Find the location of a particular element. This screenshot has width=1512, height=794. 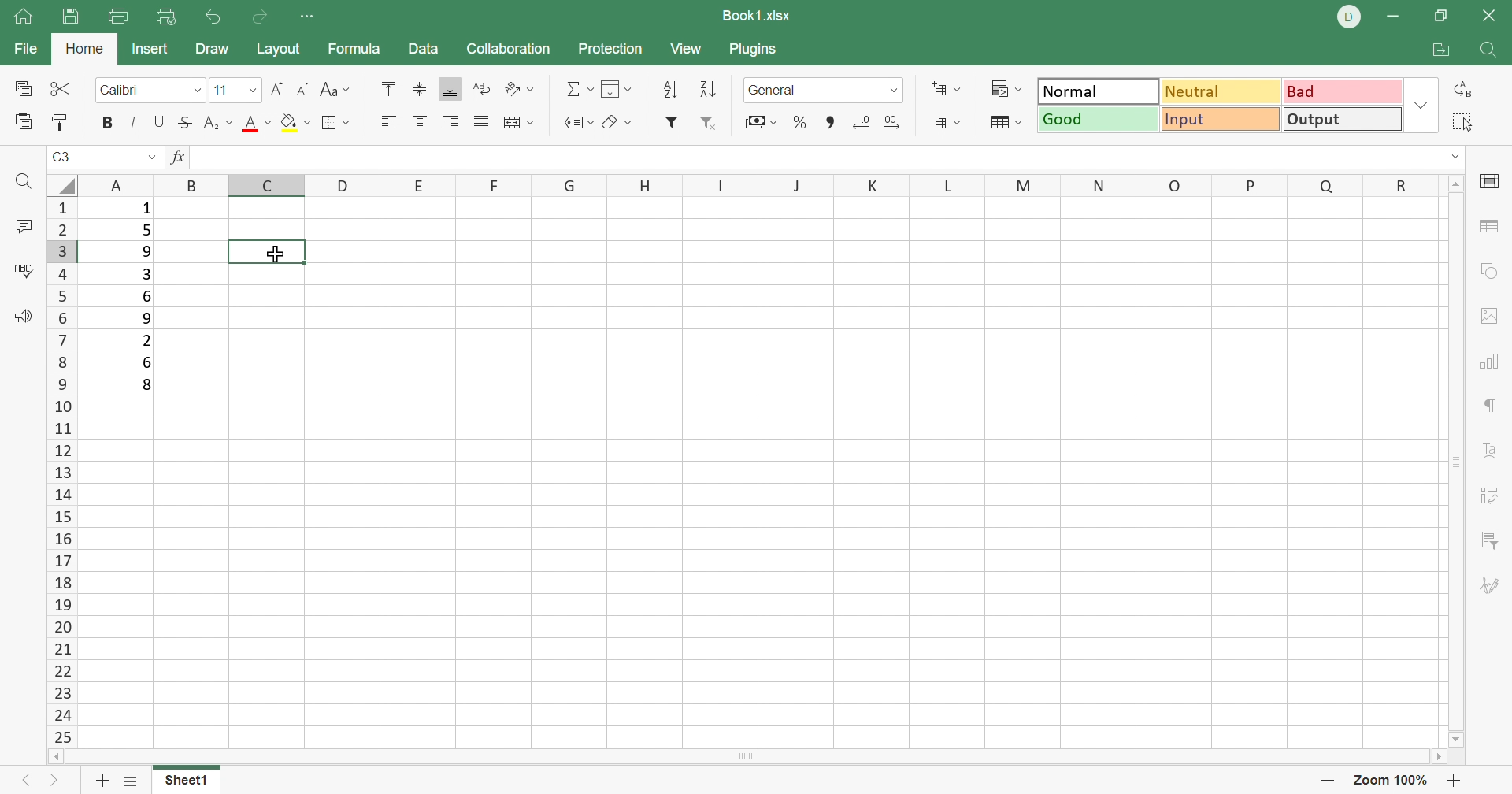

Zoom out is located at coordinates (1326, 783).